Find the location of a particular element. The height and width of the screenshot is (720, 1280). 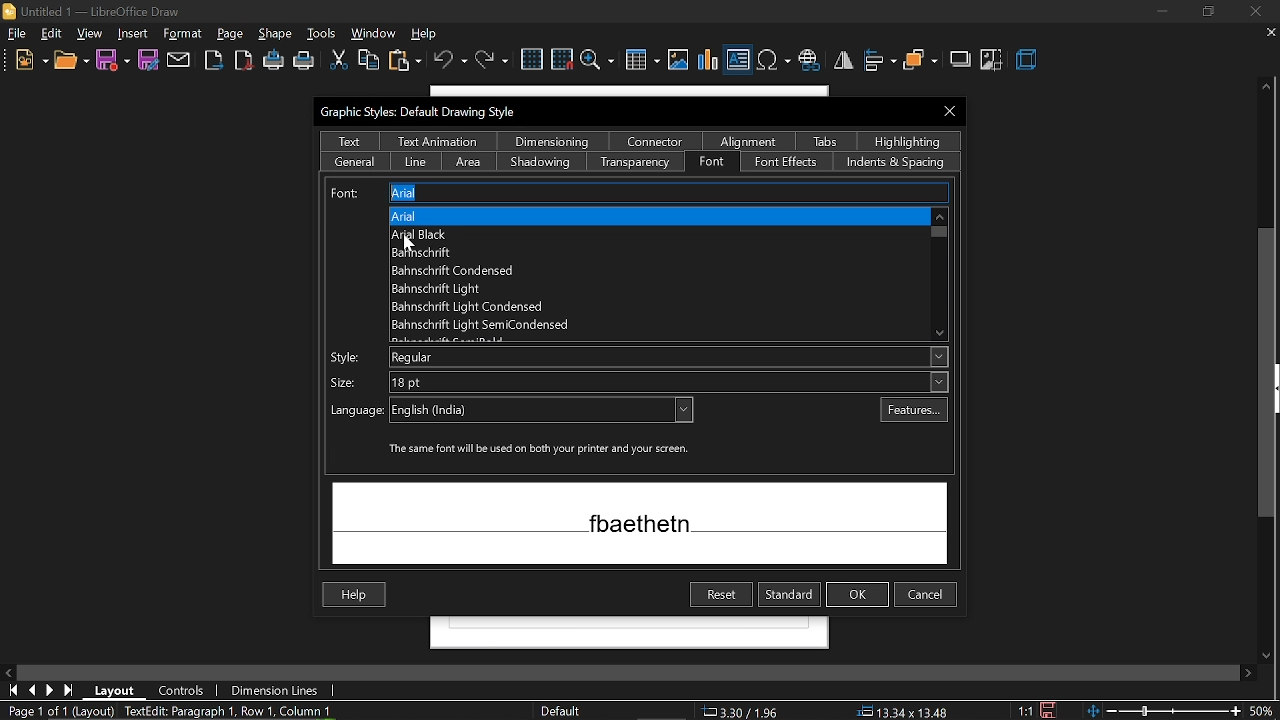

Style is located at coordinates (350, 355).